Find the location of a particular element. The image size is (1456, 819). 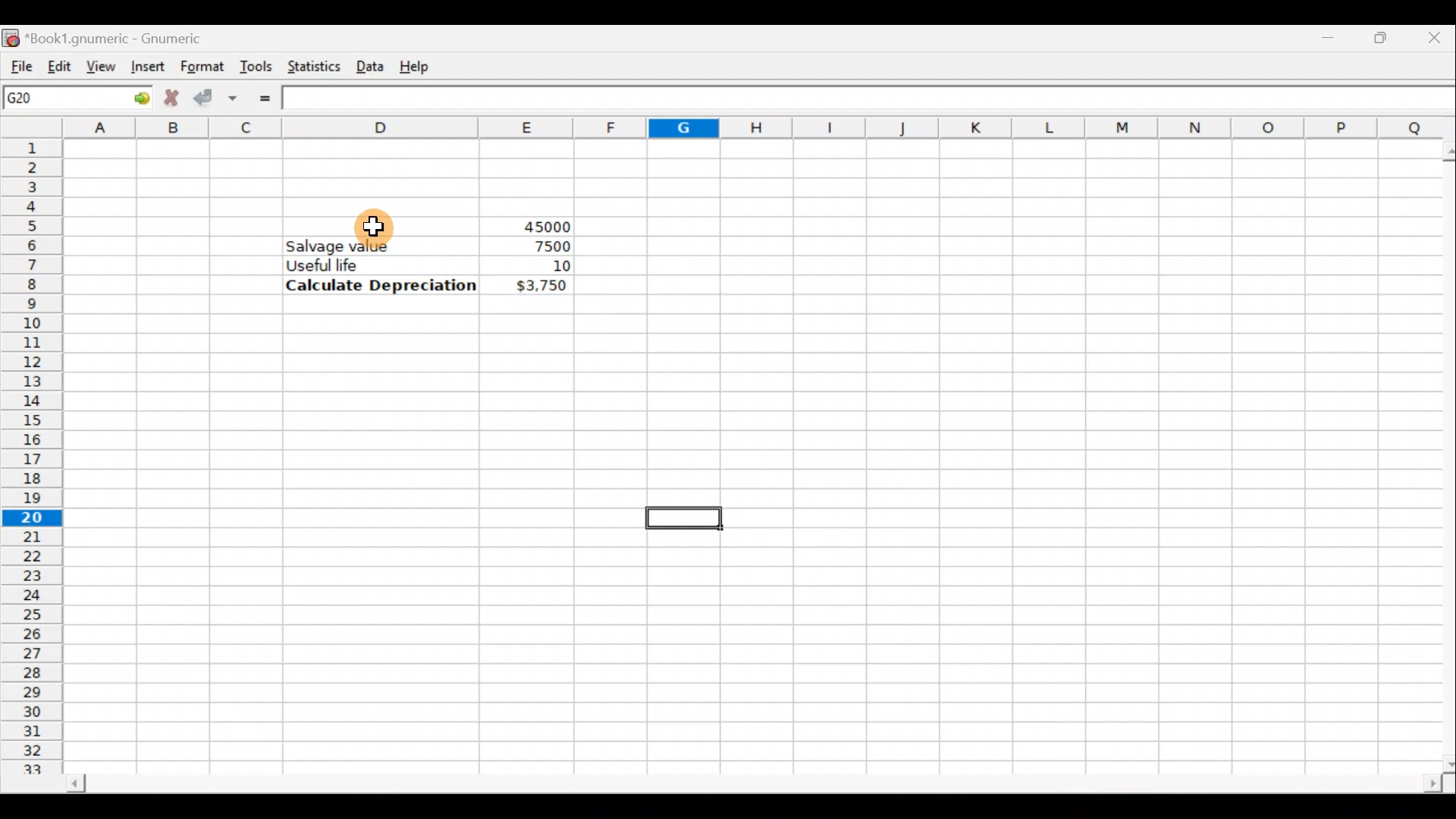

Edit is located at coordinates (58, 65).